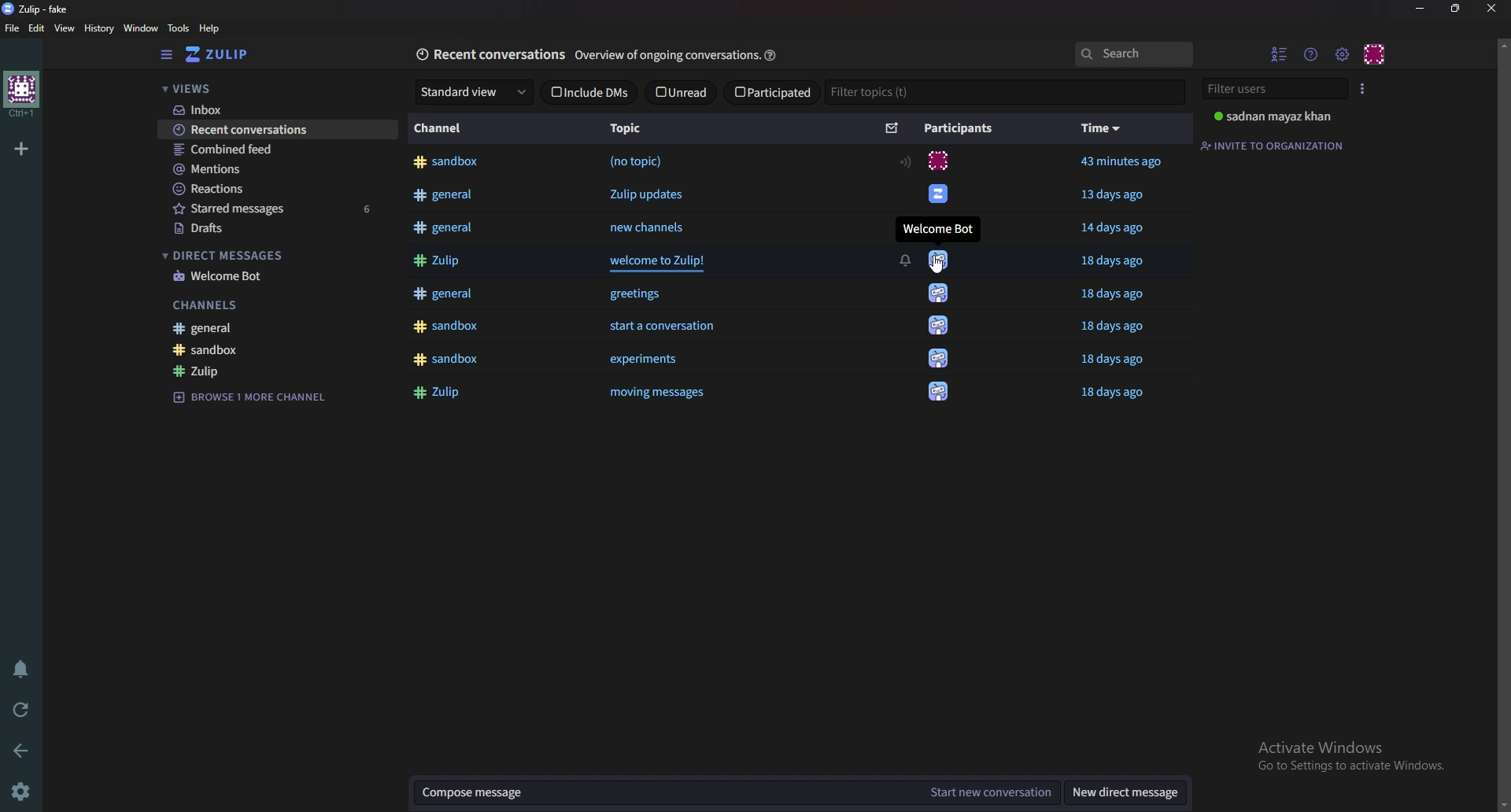 Image resolution: width=1511 pixels, height=812 pixels. What do you see at coordinates (1133, 54) in the screenshot?
I see `search` at bounding box center [1133, 54].